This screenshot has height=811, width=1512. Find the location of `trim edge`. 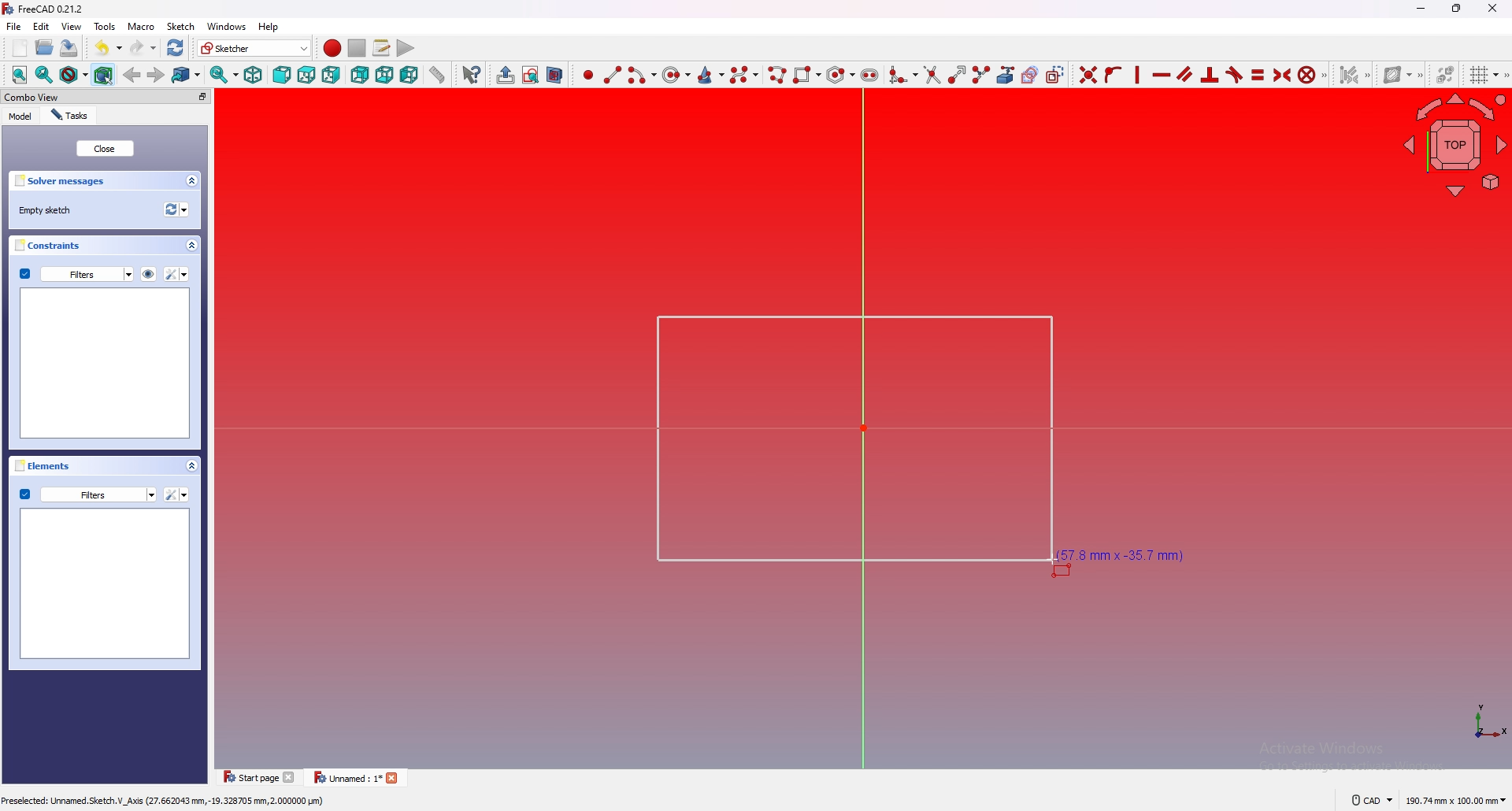

trim edge is located at coordinates (932, 75).